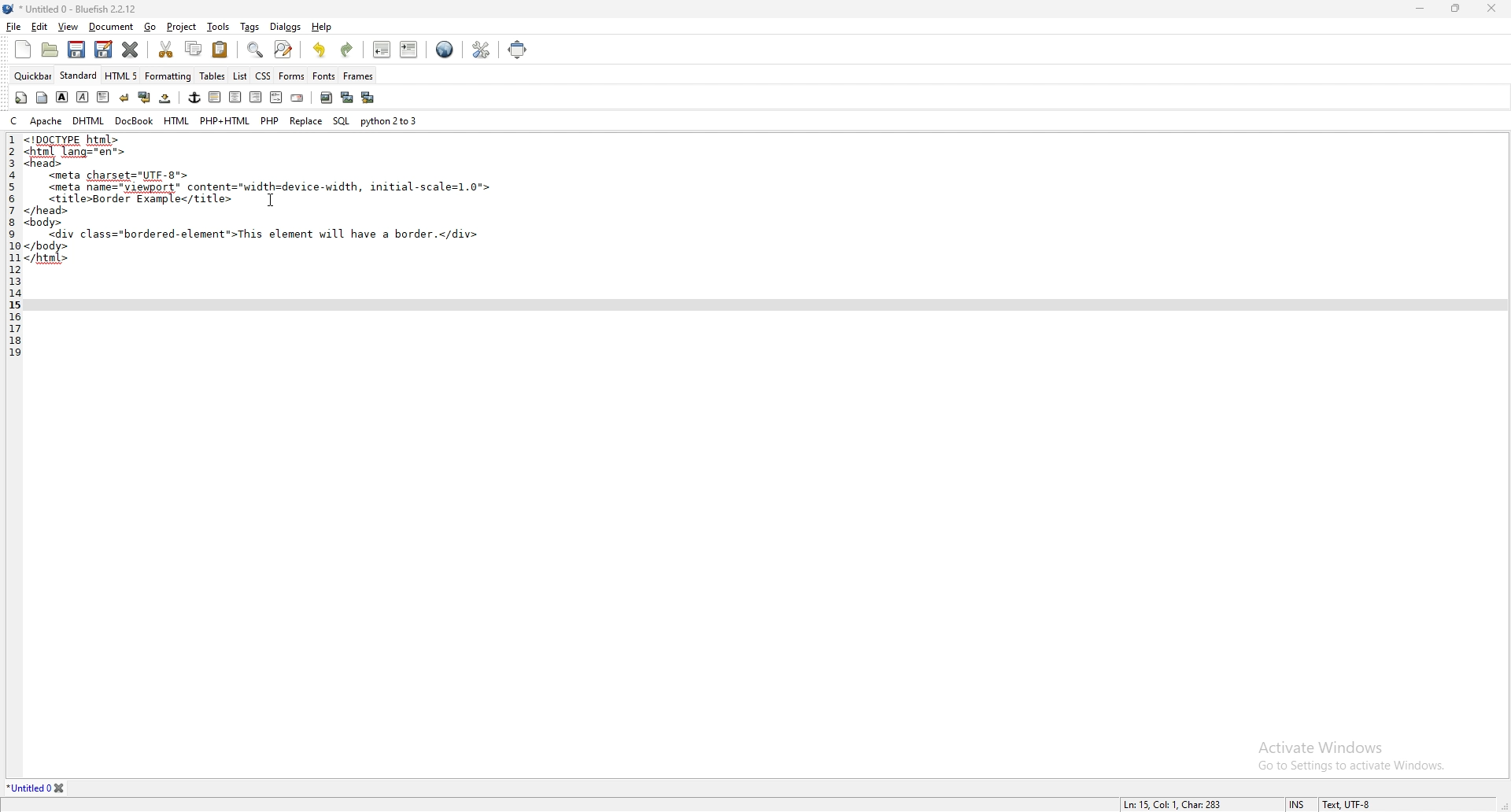 This screenshot has height=812, width=1511. What do you see at coordinates (104, 49) in the screenshot?
I see `save file as` at bounding box center [104, 49].